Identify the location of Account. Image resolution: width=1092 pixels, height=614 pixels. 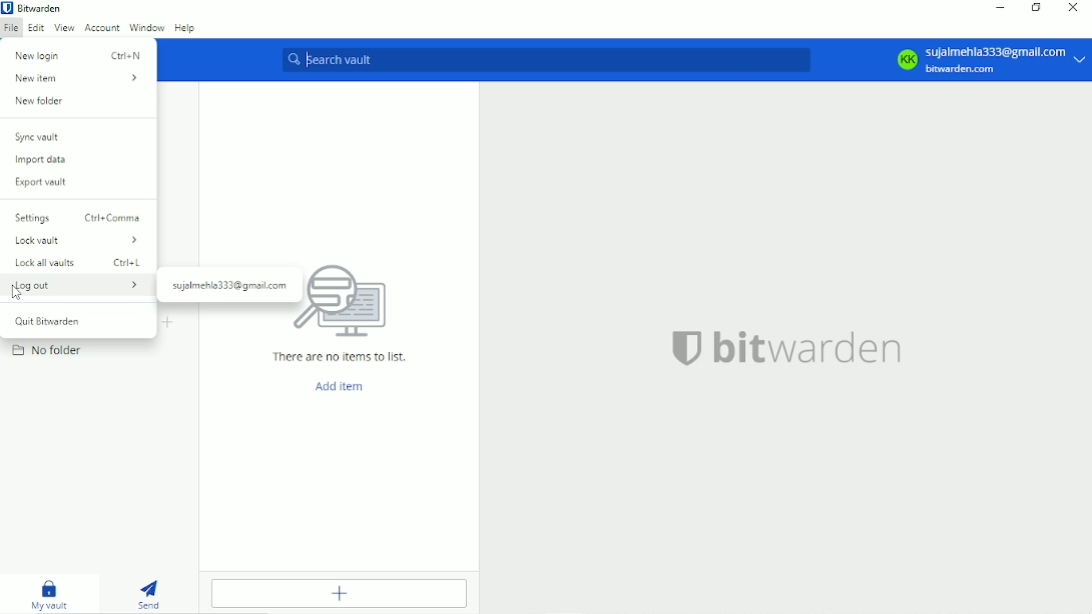
(100, 27).